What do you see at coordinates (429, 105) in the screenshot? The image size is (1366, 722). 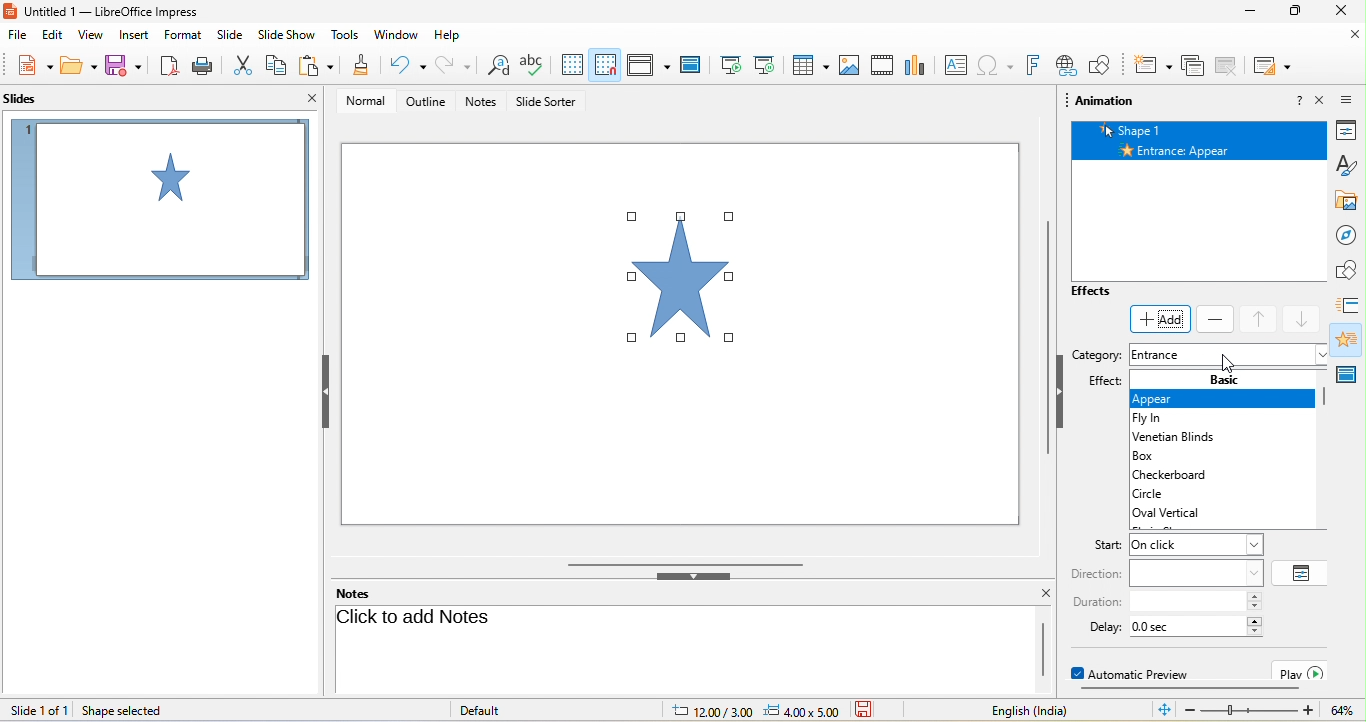 I see `outline` at bounding box center [429, 105].